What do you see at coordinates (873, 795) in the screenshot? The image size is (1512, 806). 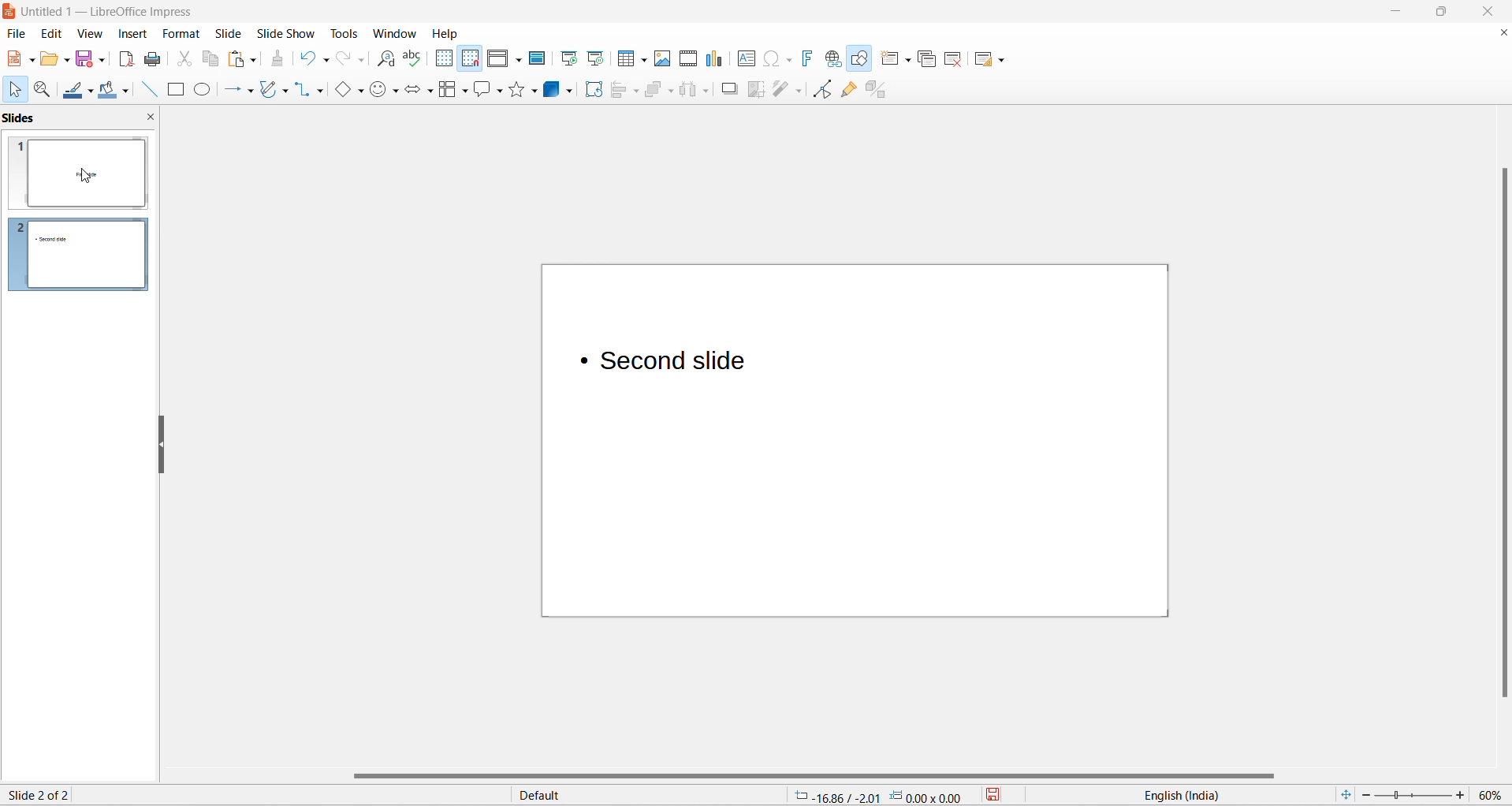 I see `cursor and selection placement` at bounding box center [873, 795].